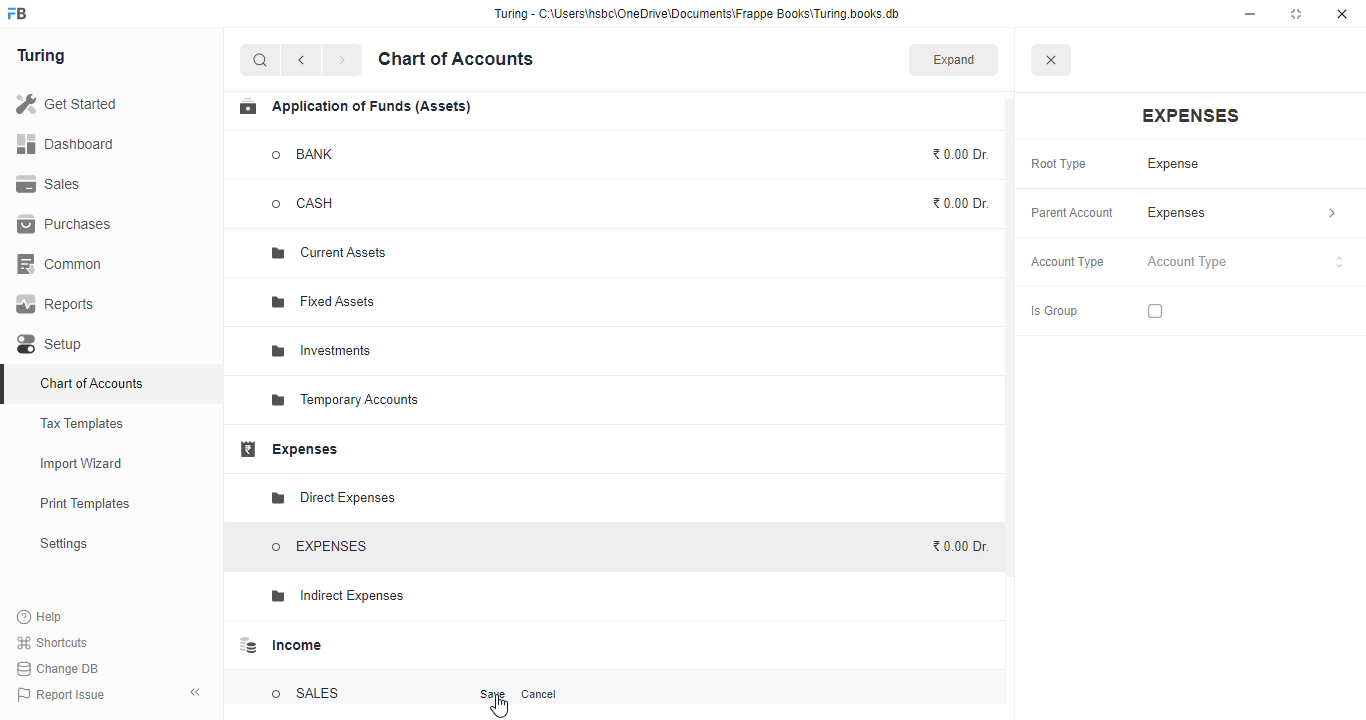  Describe the element at coordinates (1342, 14) in the screenshot. I see `close` at that location.